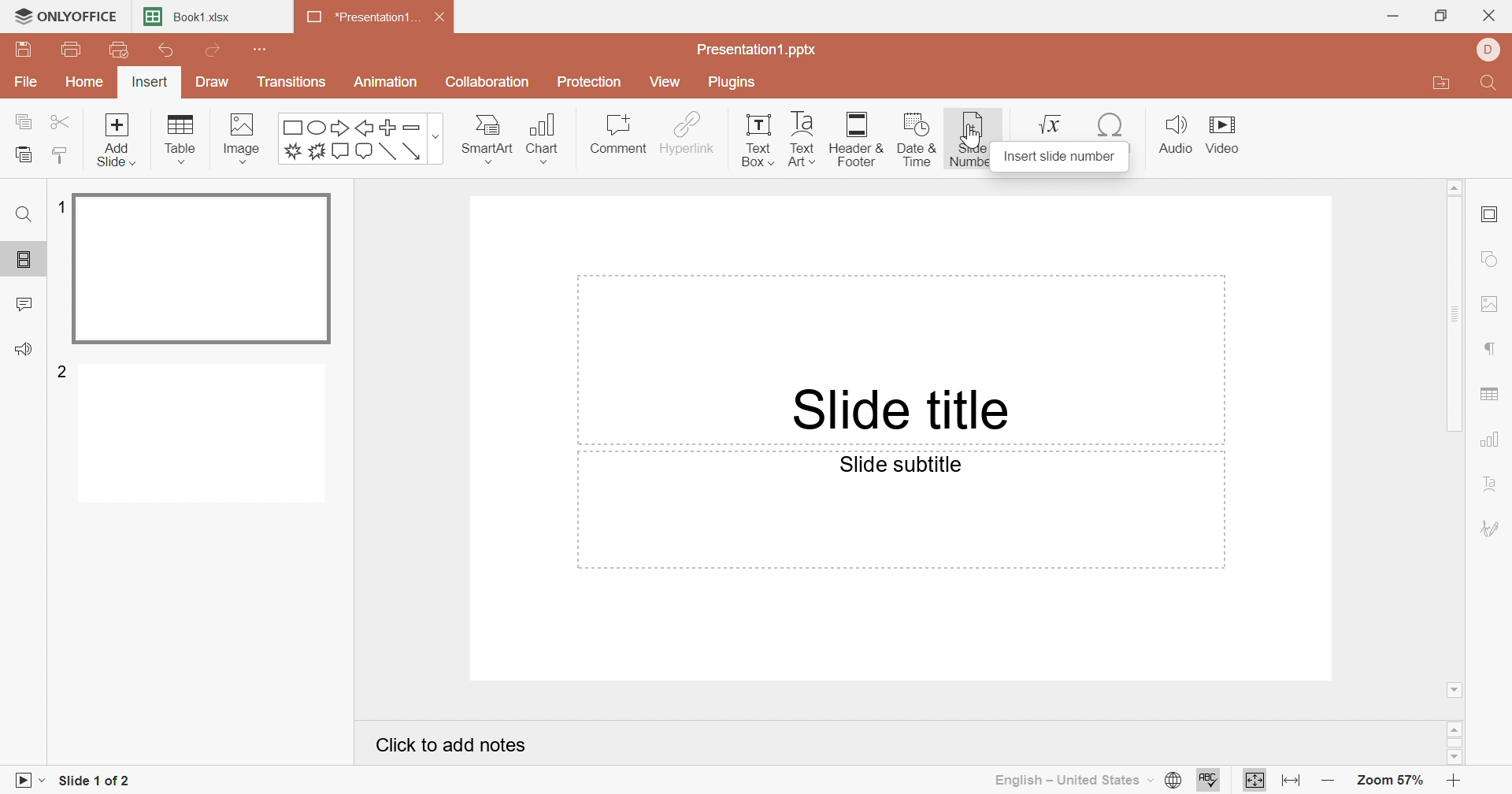  I want to click on Equation, so click(1053, 123).